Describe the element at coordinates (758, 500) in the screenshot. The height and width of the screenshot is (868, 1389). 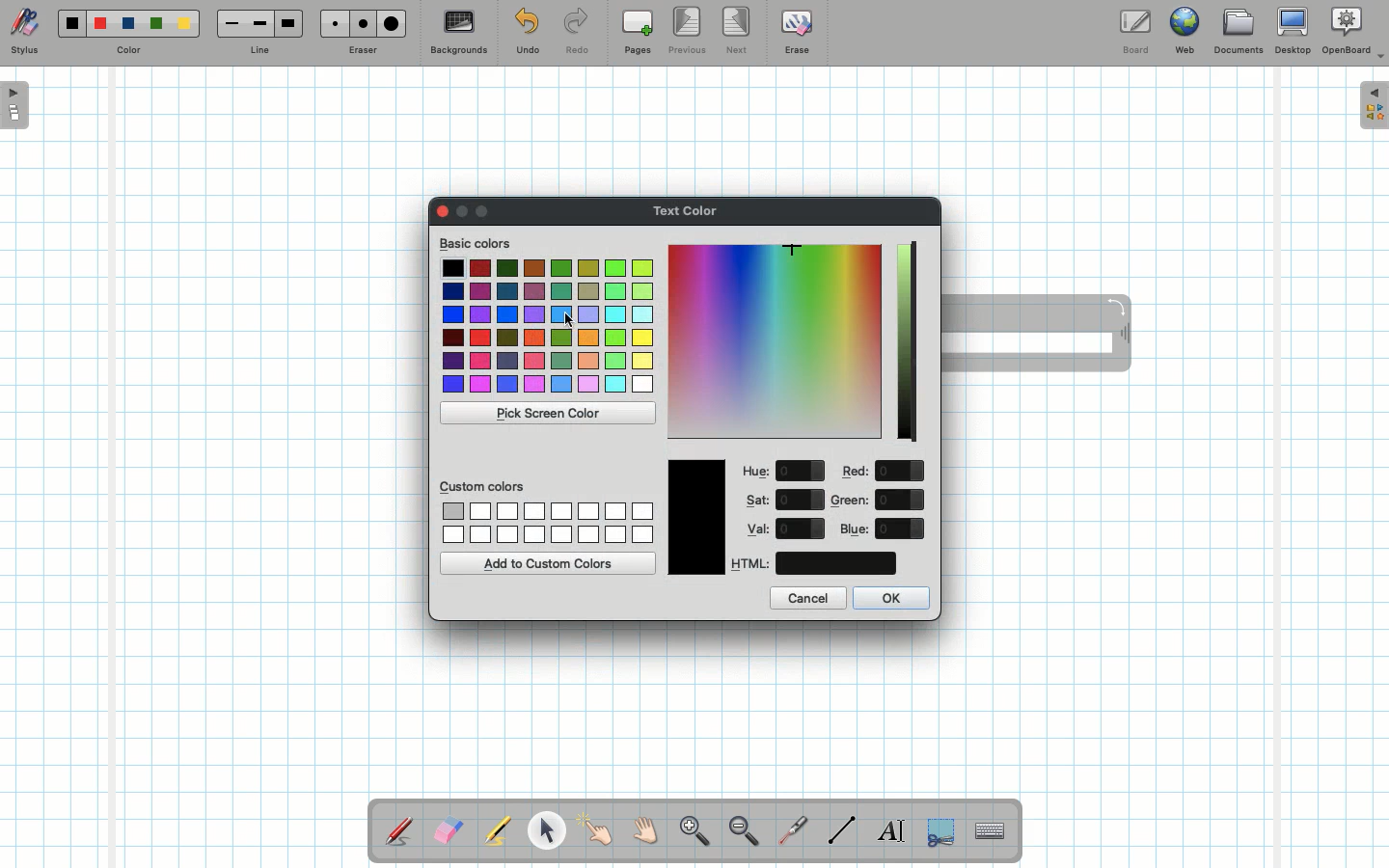
I see `Sat` at that location.